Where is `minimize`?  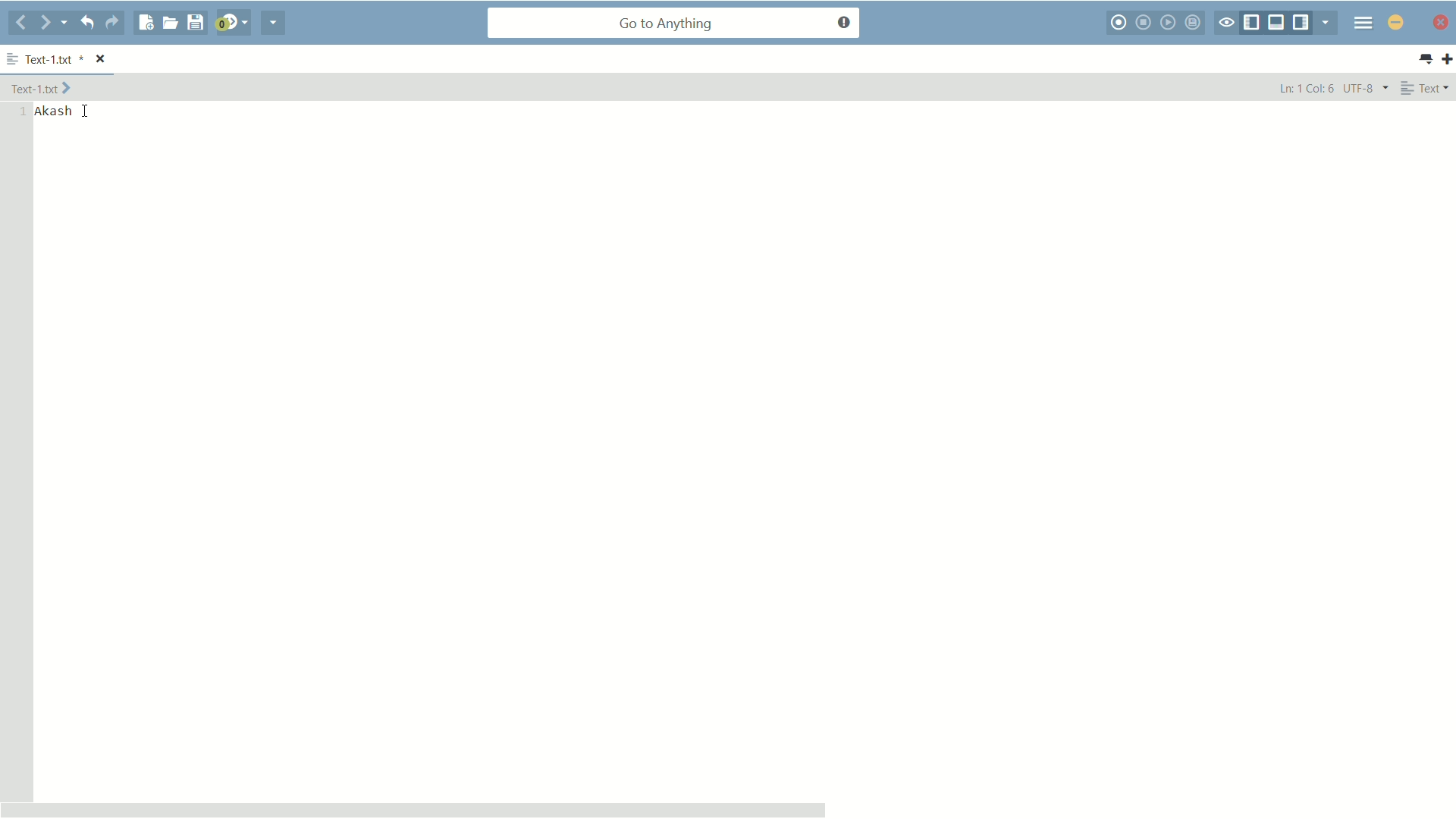
minimize is located at coordinates (1396, 22).